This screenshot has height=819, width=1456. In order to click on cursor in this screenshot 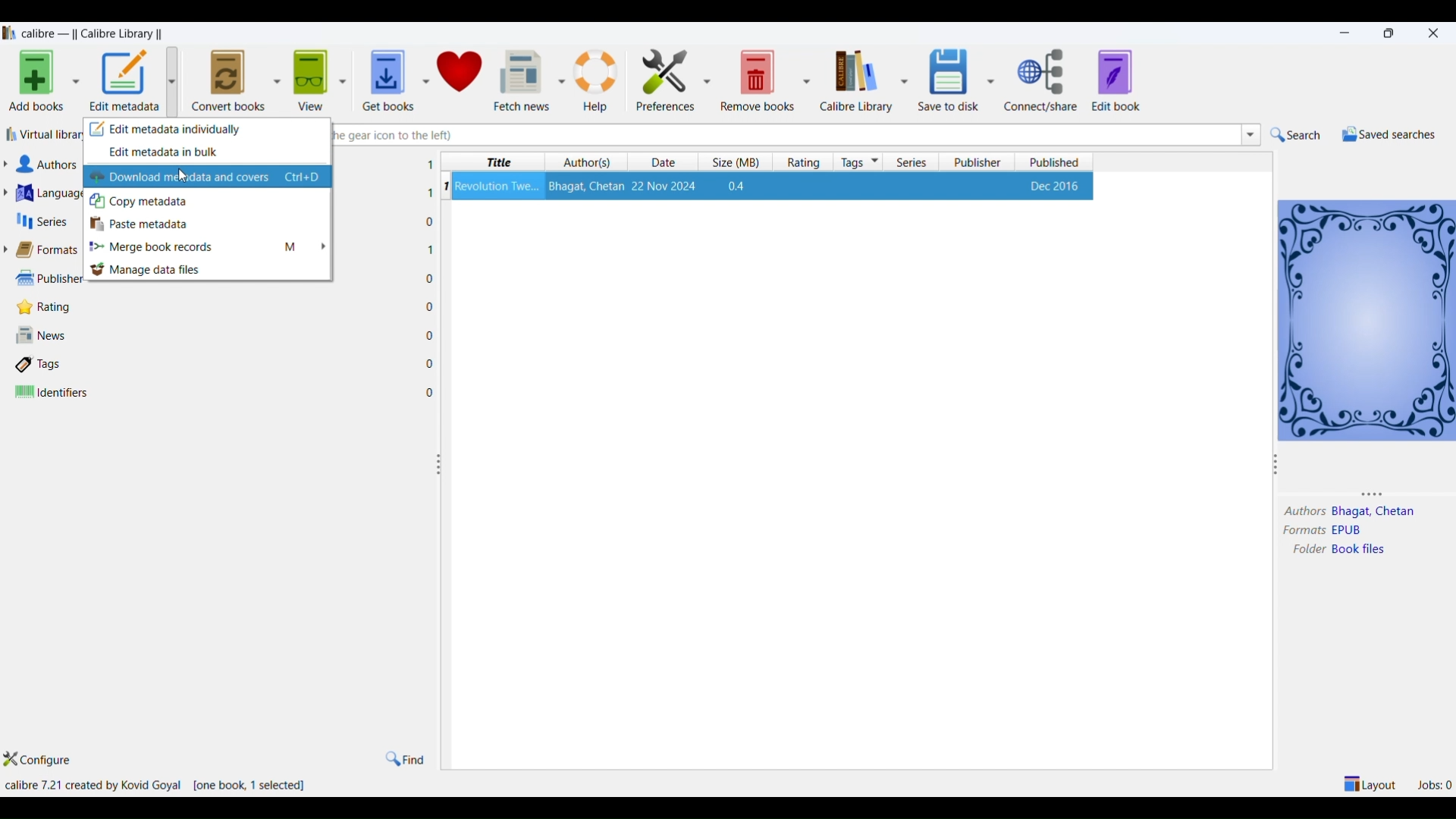, I will do `click(184, 175)`.